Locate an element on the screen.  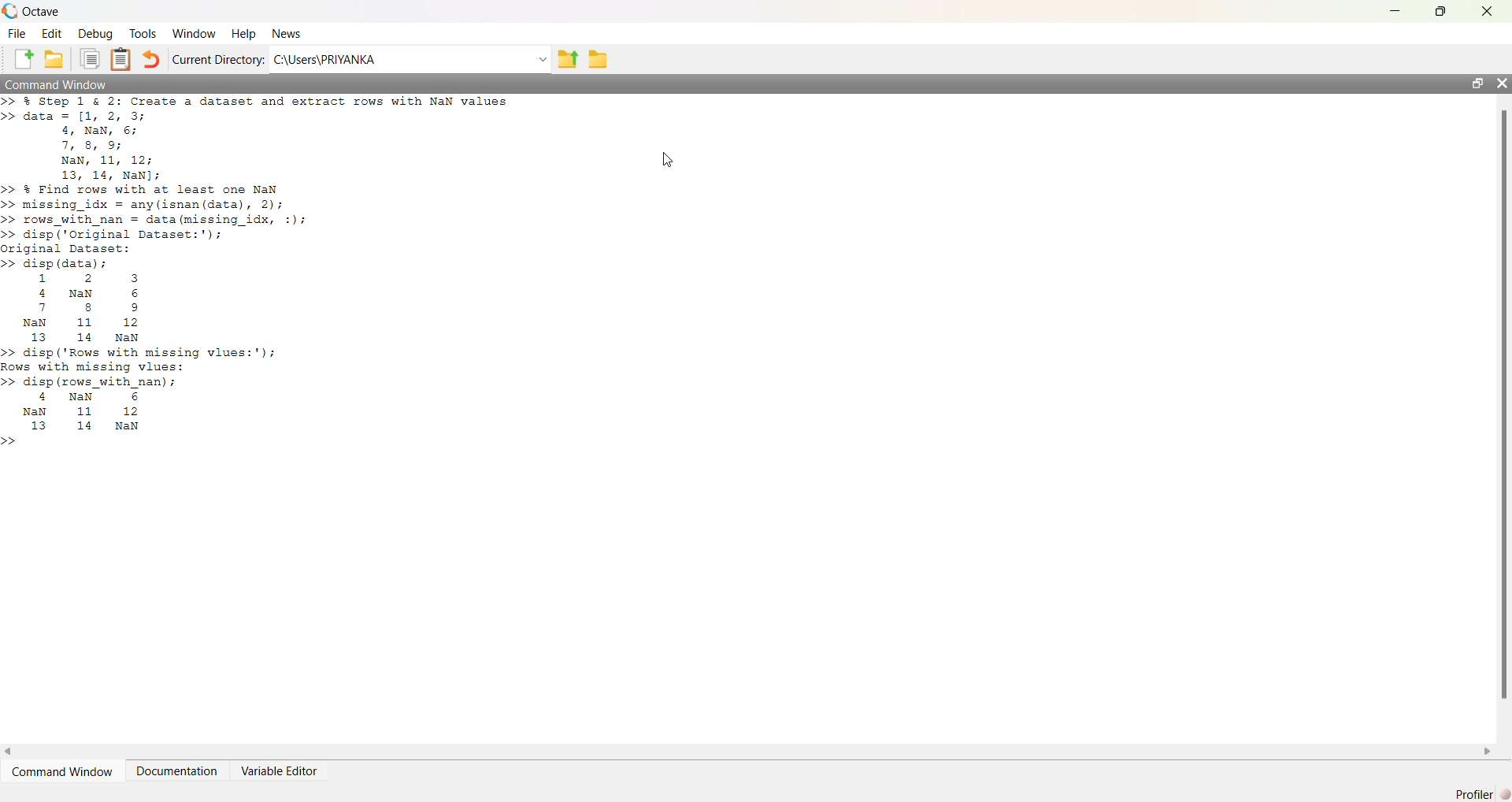
Edit is located at coordinates (52, 34).